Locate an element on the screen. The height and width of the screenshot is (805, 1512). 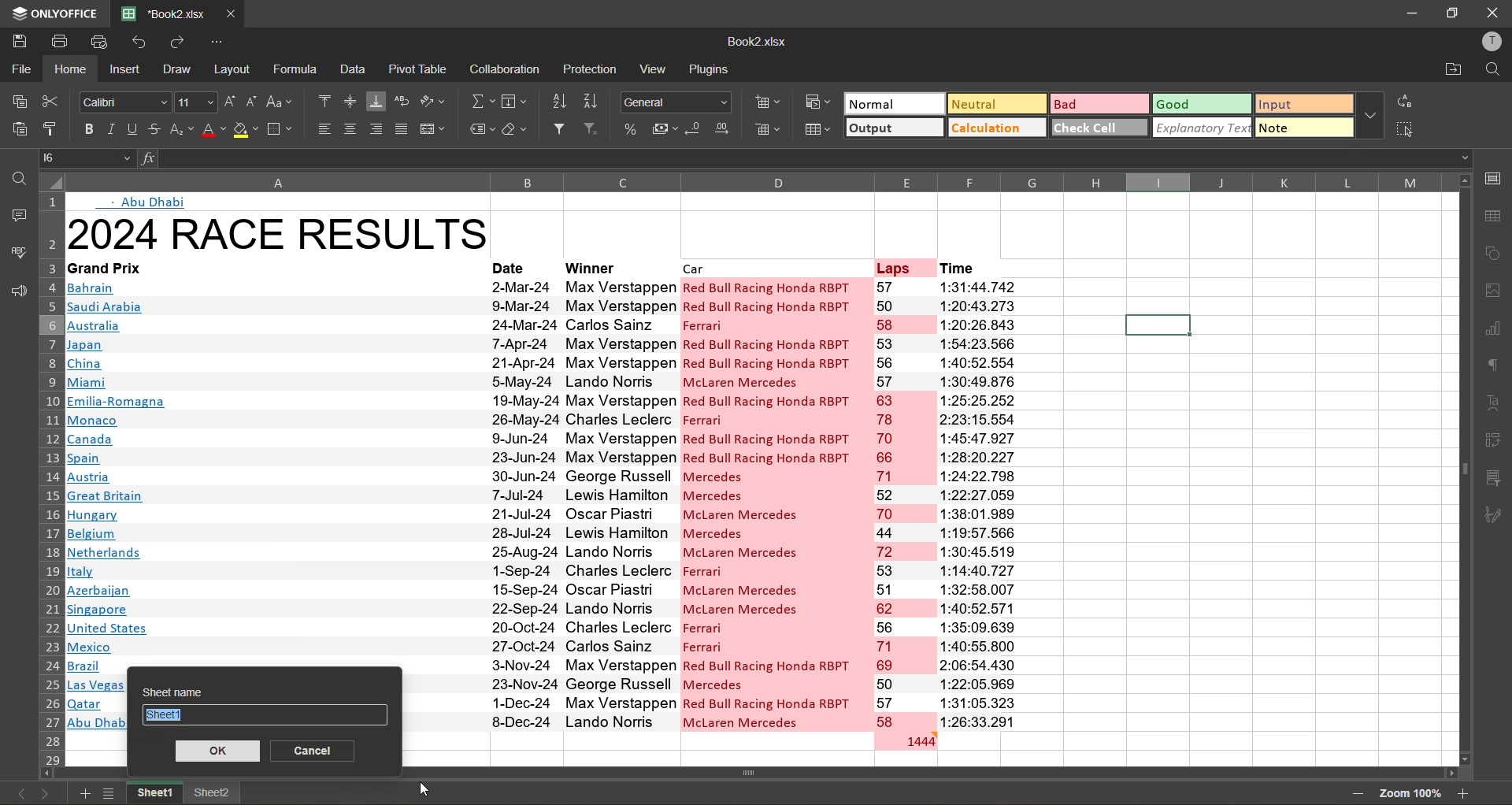
car is located at coordinates (774, 266).